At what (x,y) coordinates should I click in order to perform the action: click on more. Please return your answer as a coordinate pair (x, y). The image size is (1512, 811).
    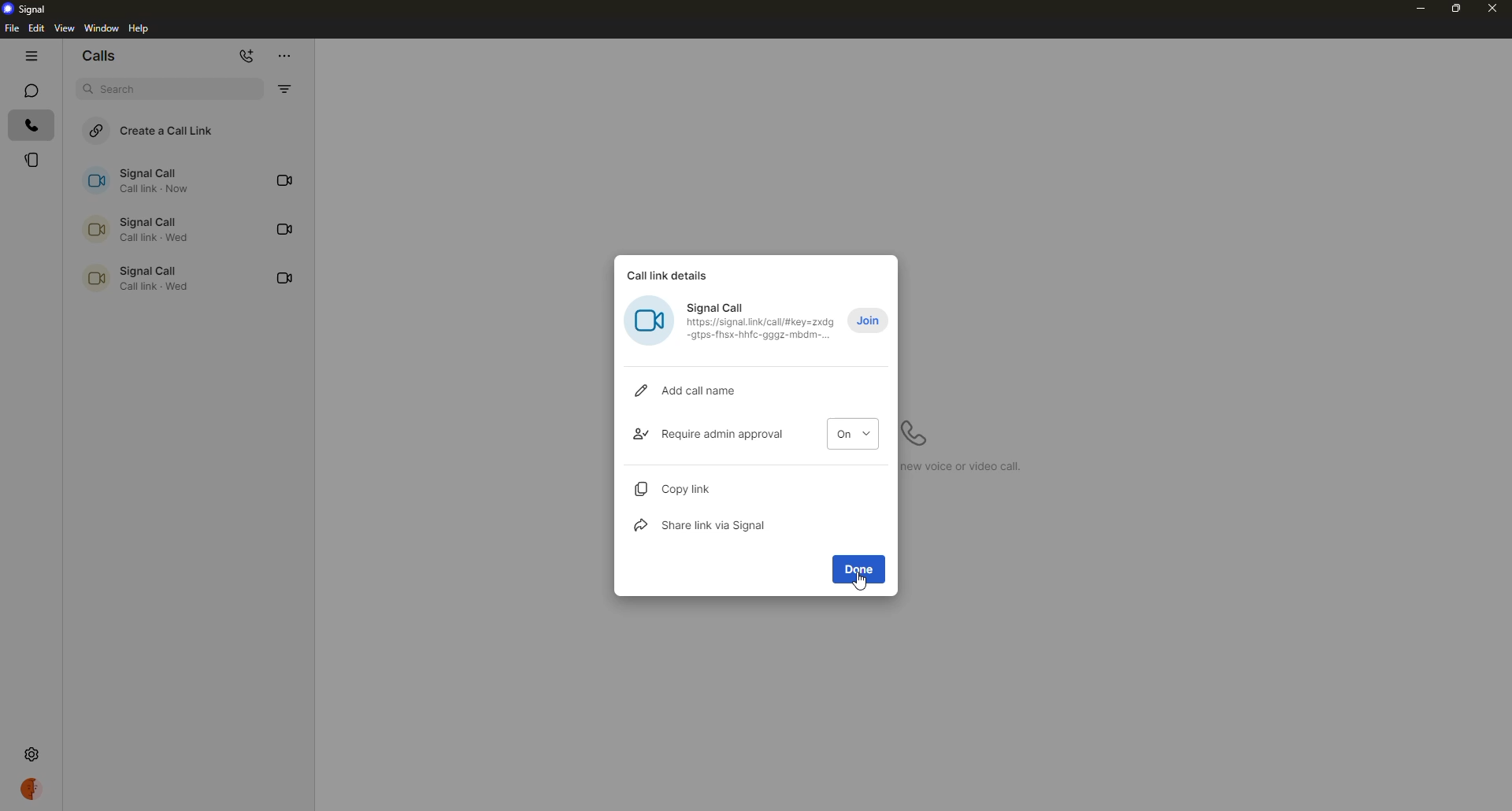
    Looking at the image, I should click on (288, 56).